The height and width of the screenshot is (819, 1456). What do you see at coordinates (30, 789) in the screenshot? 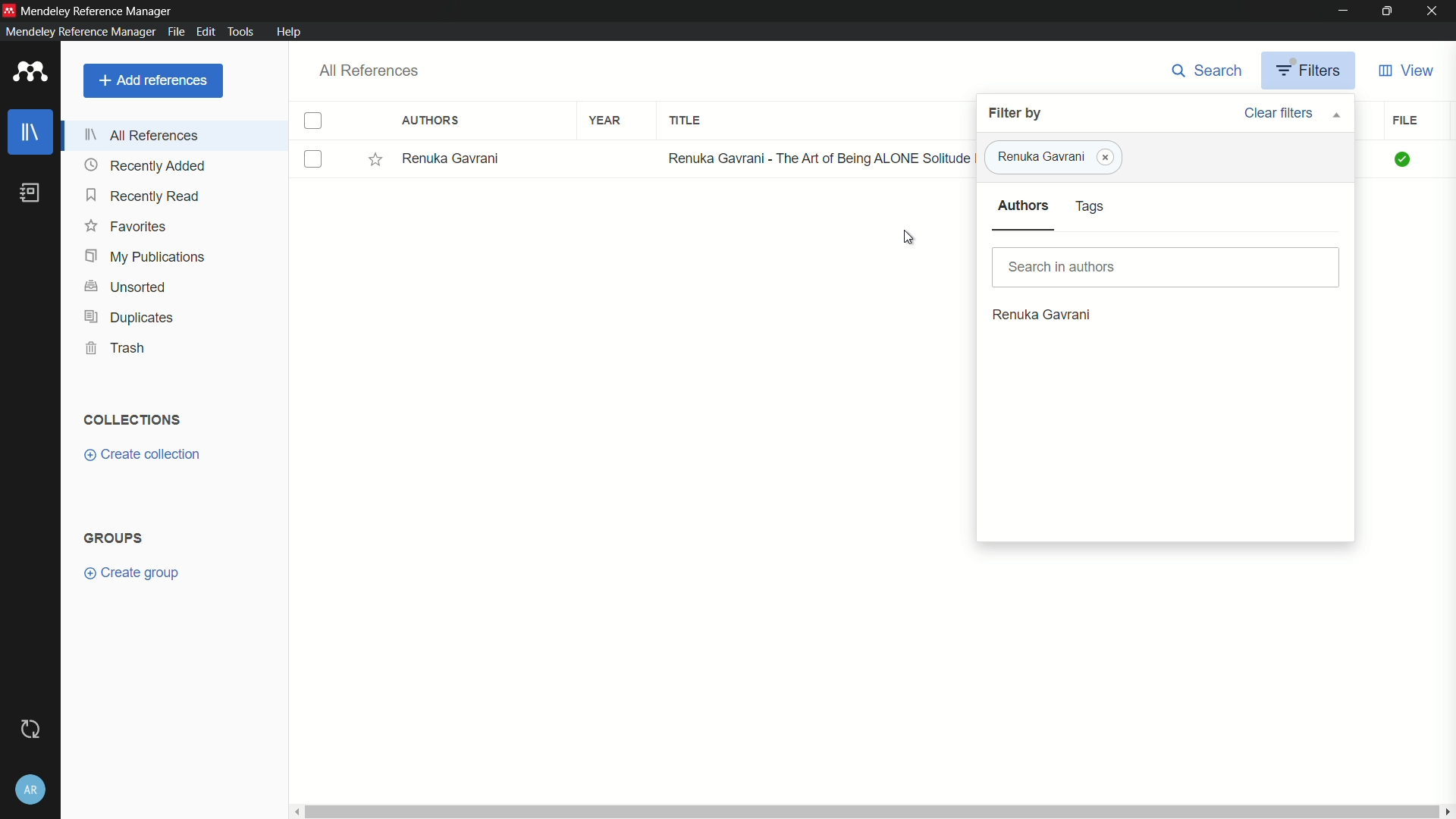
I see `account and settings` at bounding box center [30, 789].